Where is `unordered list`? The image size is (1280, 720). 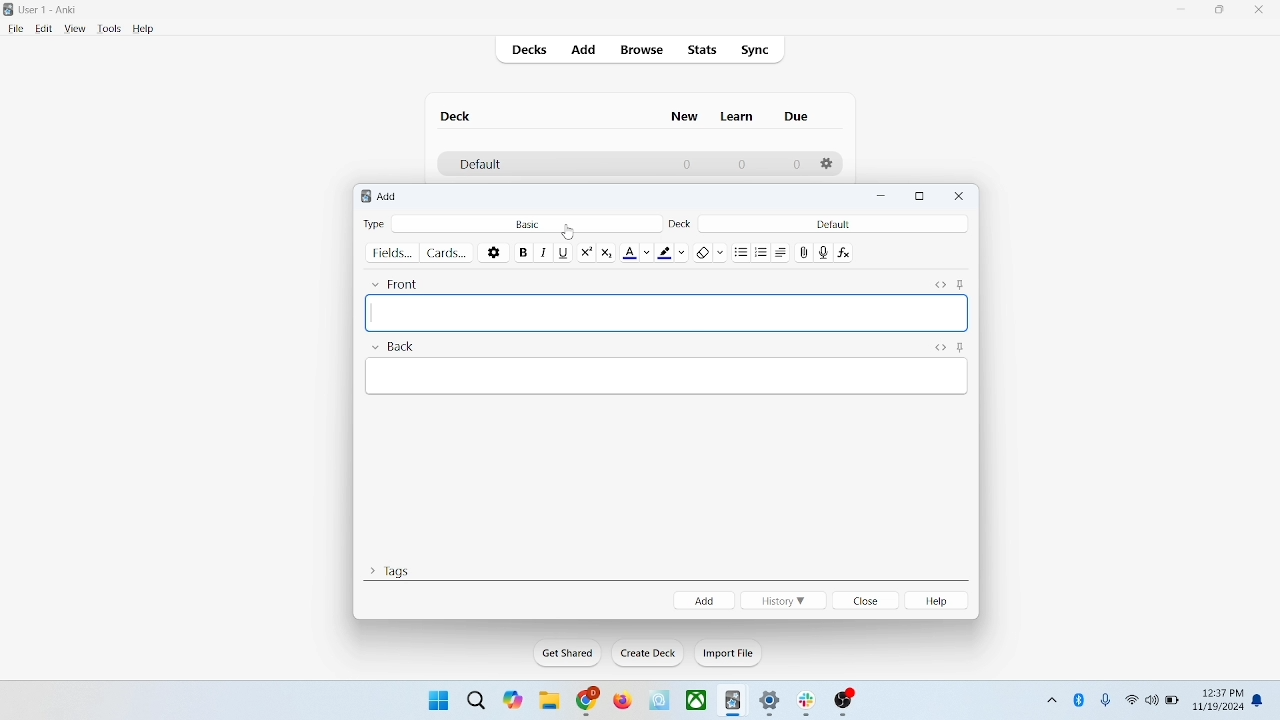 unordered list is located at coordinates (741, 253).